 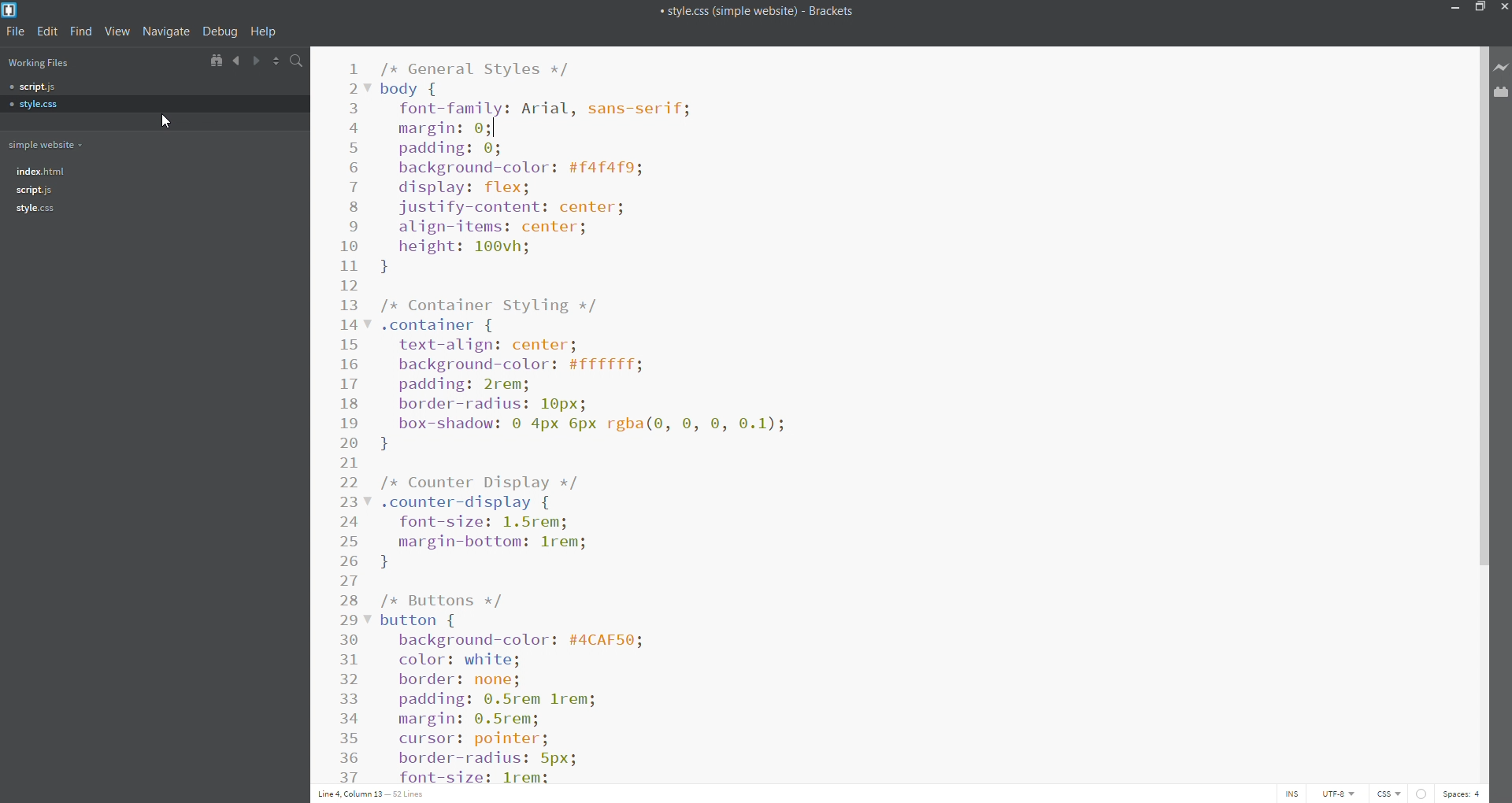 What do you see at coordinates (376, 793) in the screenshot?
I see `line 4 column 13- 52 lines` at bounding box center [376, 793].